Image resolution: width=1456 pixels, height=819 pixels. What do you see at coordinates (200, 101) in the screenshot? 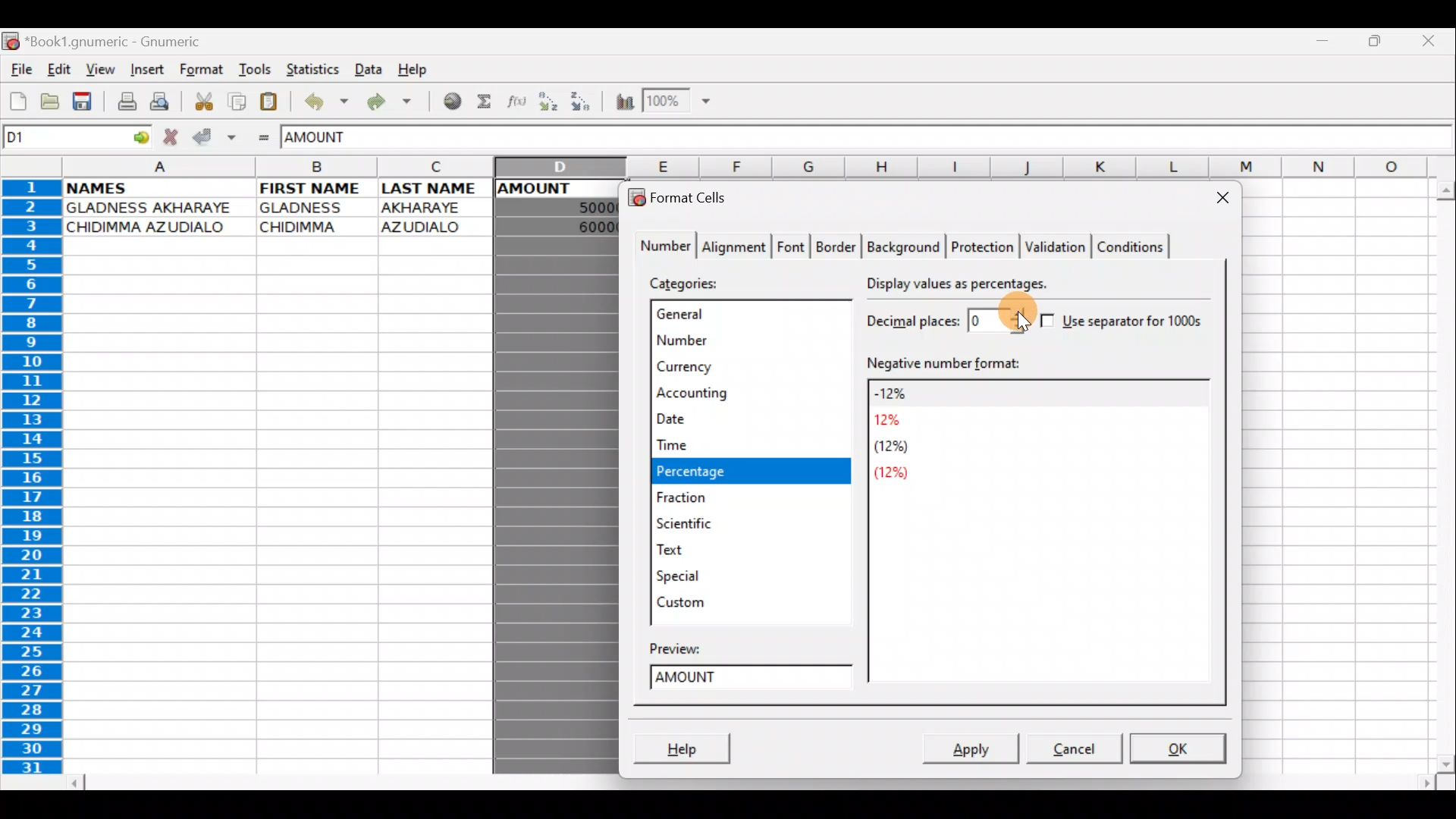
I see `Cut selection` at bounding box center [200, 101].